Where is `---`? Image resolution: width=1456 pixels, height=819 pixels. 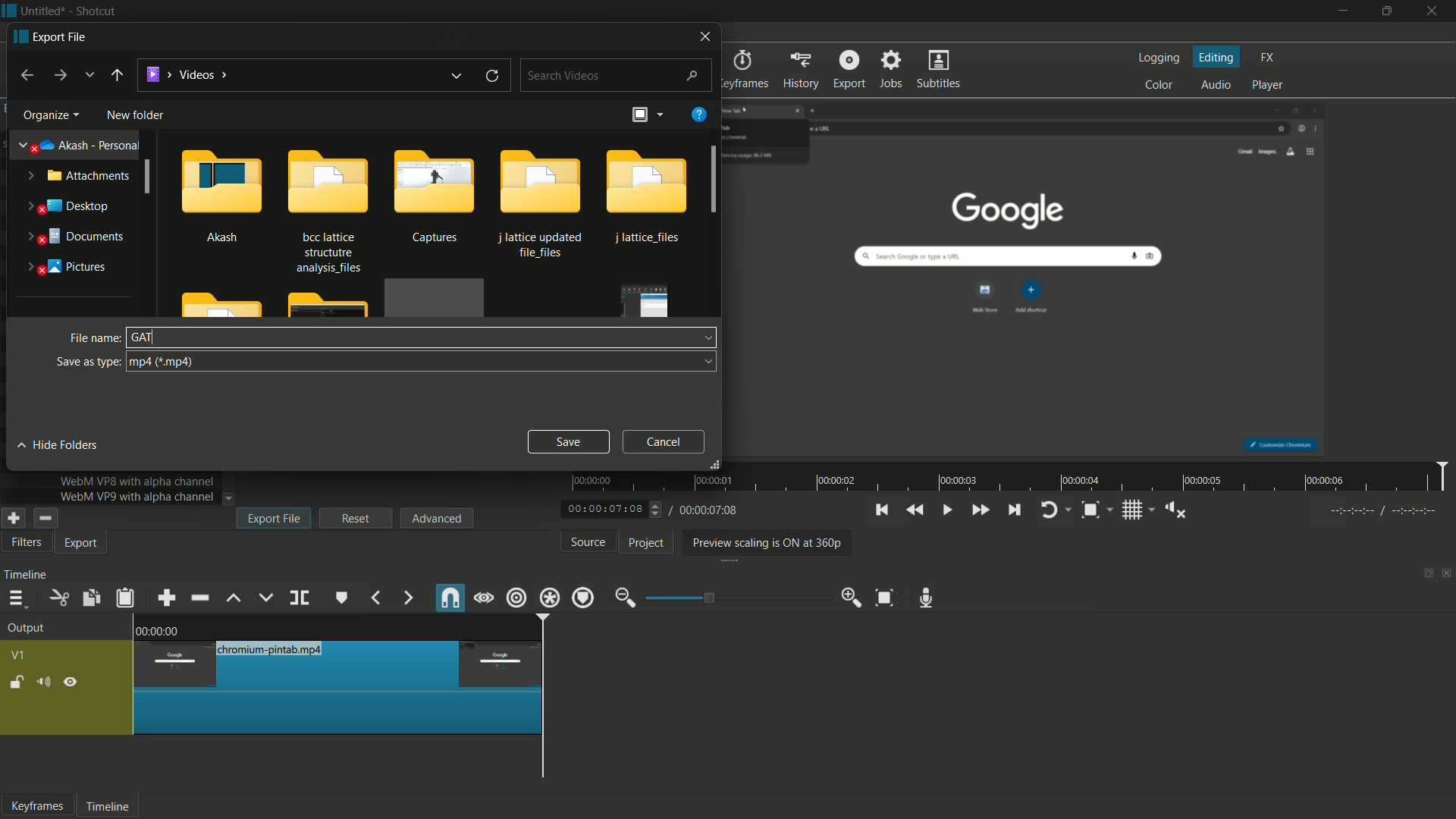
--- is located at coordinates (1382, 510).